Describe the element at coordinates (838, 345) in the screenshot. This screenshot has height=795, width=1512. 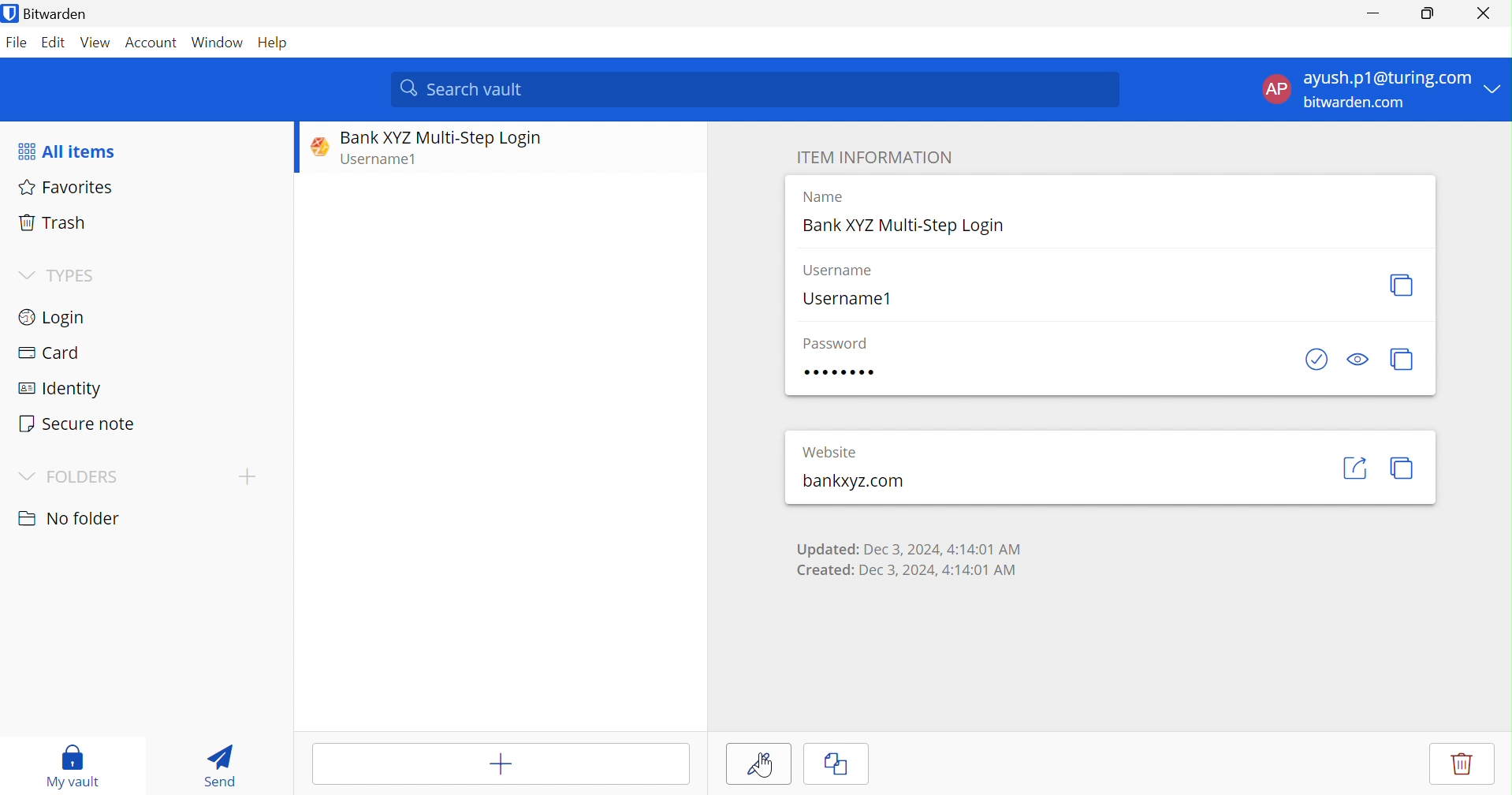
I see `Password` at that location.